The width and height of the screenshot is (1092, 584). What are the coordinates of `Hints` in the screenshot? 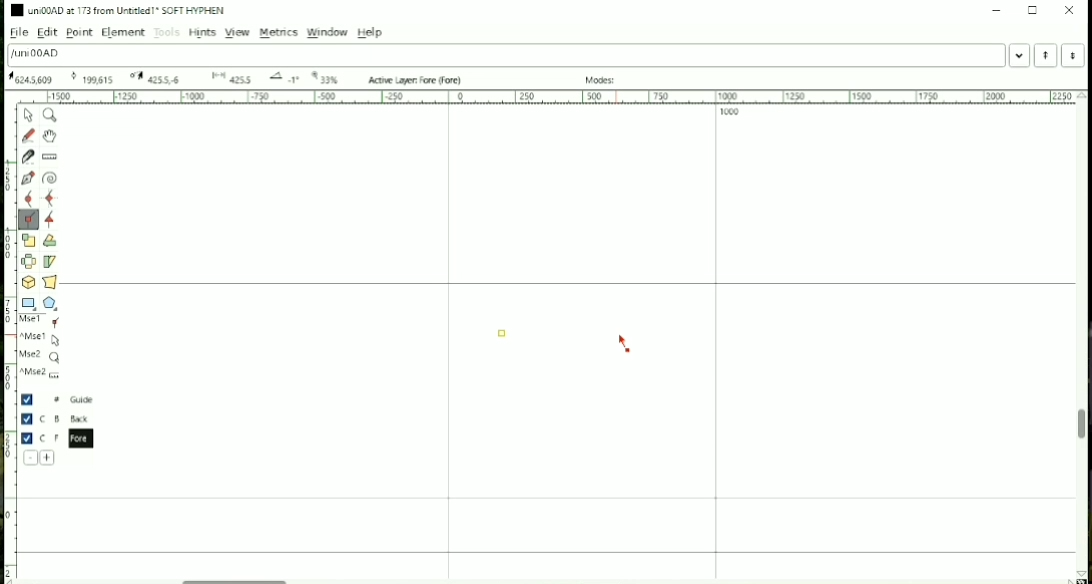 It's located at (202, 34).